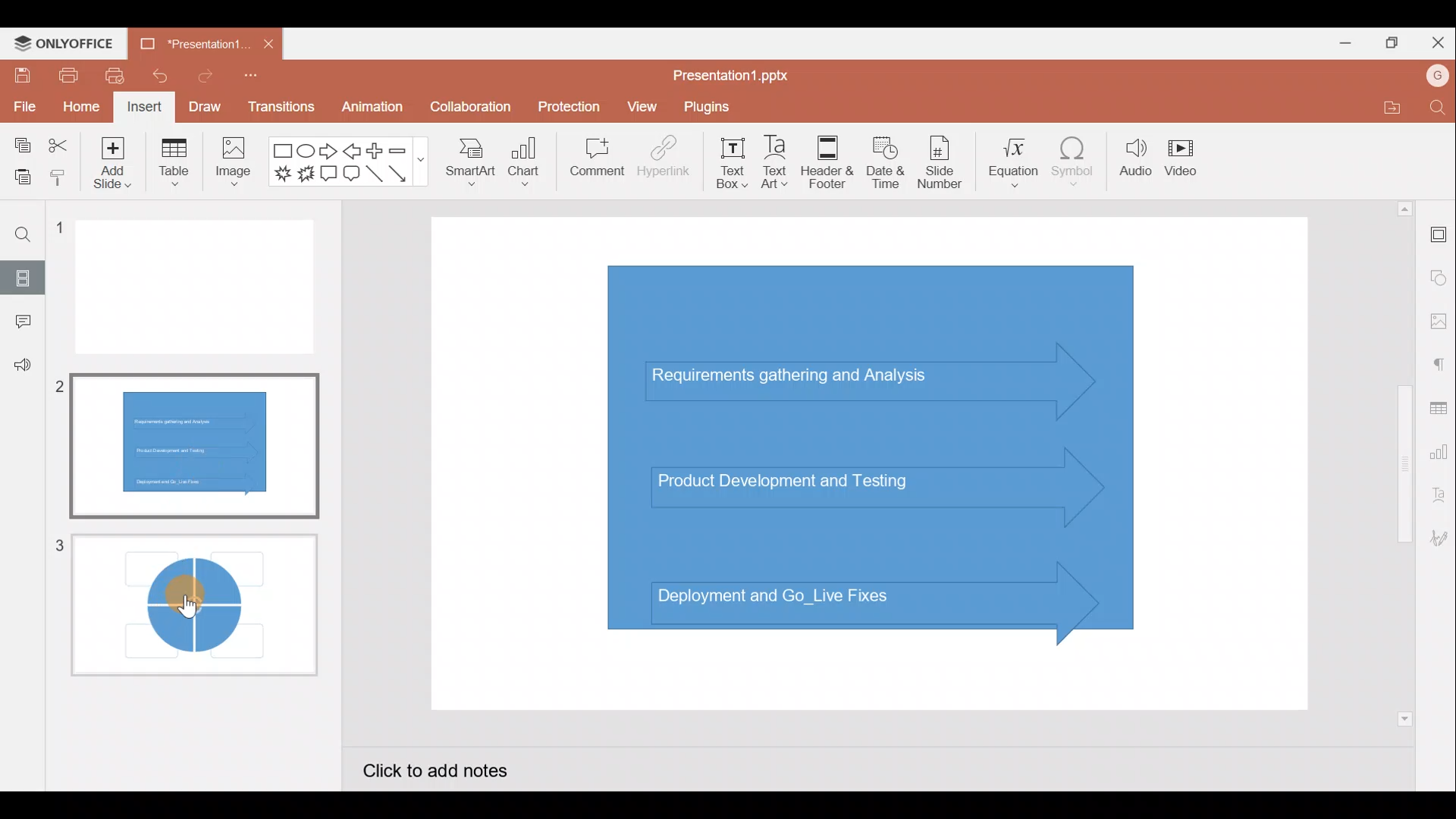  What do you see at coordinates (203, 105) in the screenshot?
I see `Draw` at bounding box center [203, 105].